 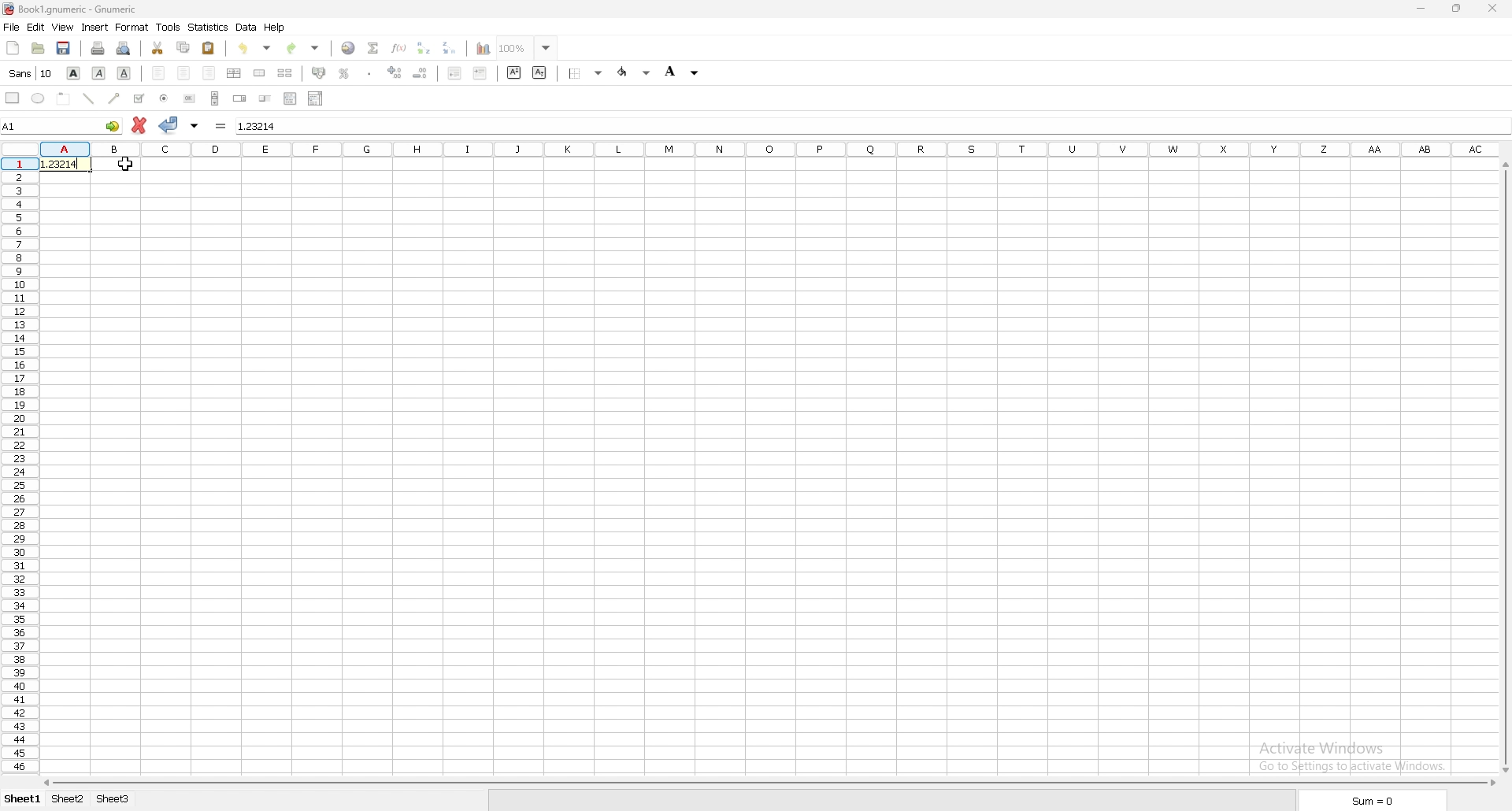 I want to click on sort descending, so click(x=450, y=47).